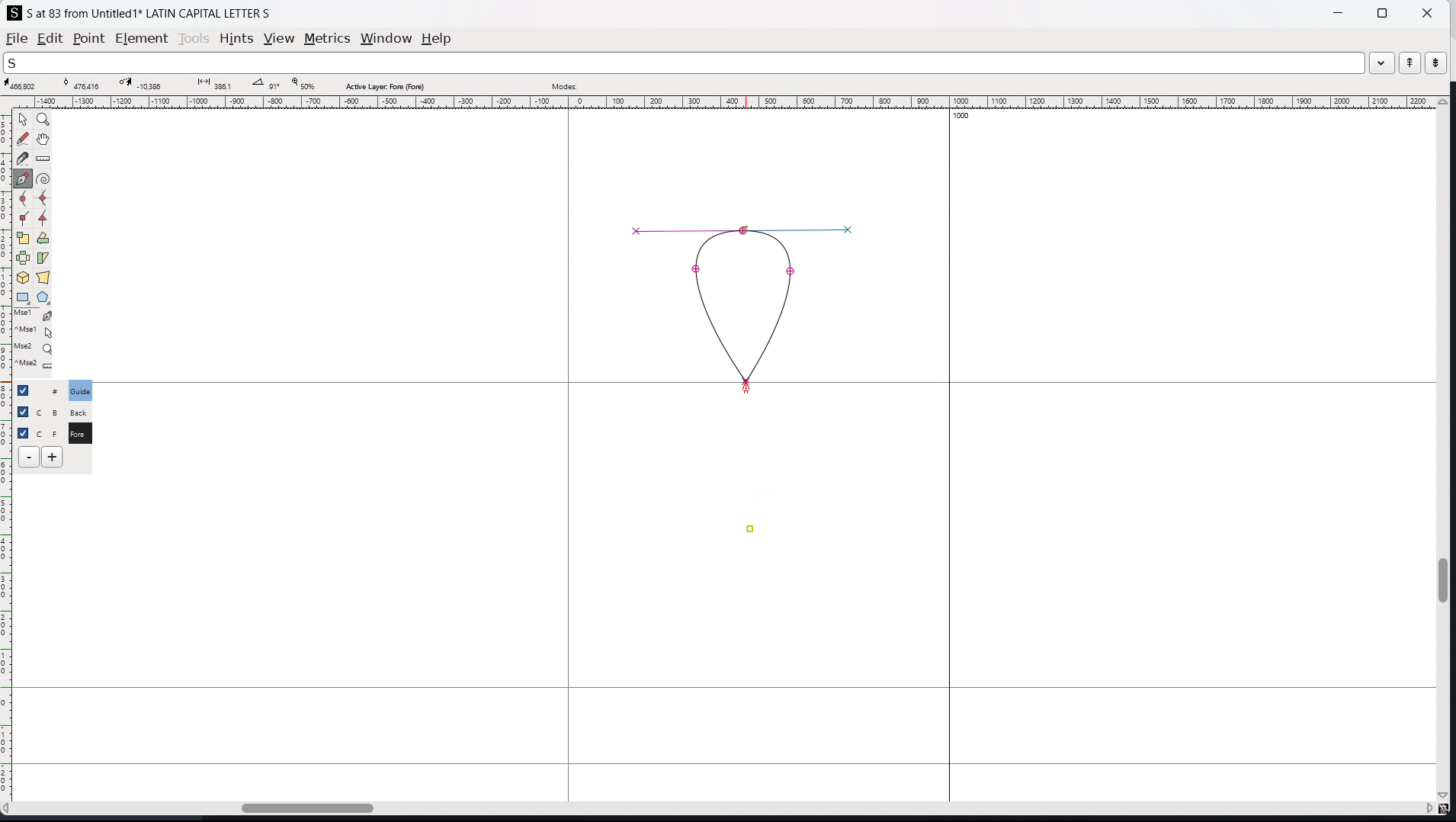 Image resolution: width=1456 pixels, height=822 pixels. Describe the element at coordinates (35, 366) in the screenshot. I see `^Mse2` at that location.